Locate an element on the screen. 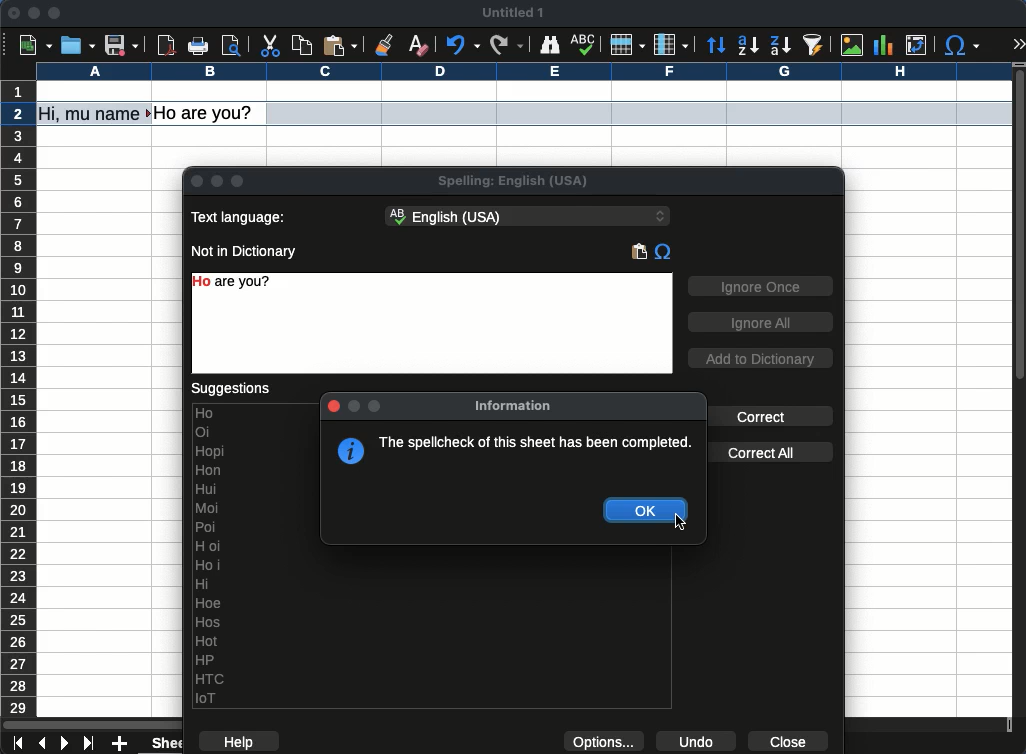 The width and height of the screenshot is (1026, 754). open is located at coordinates (76, 45).